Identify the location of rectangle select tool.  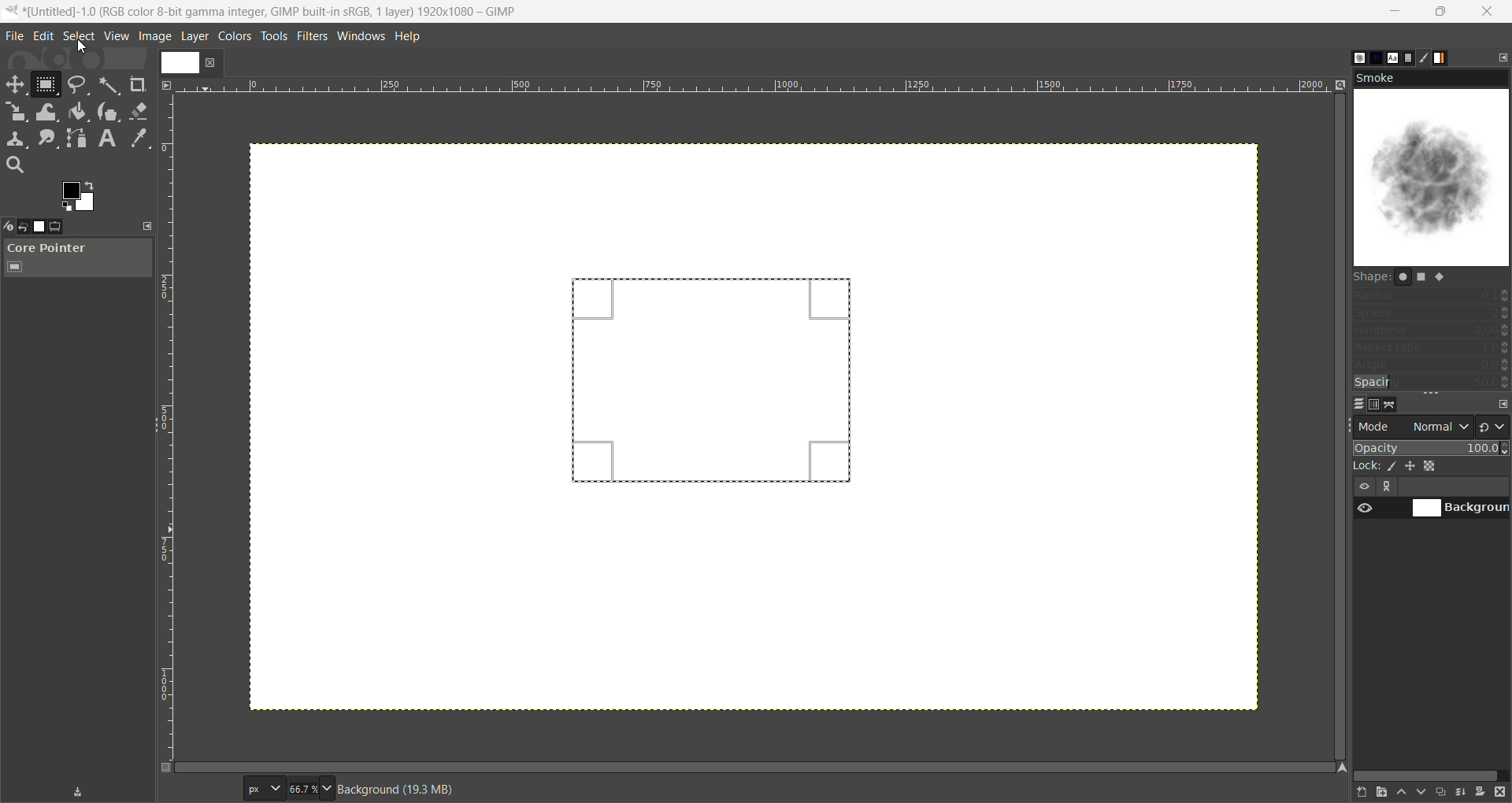
(46, 83).